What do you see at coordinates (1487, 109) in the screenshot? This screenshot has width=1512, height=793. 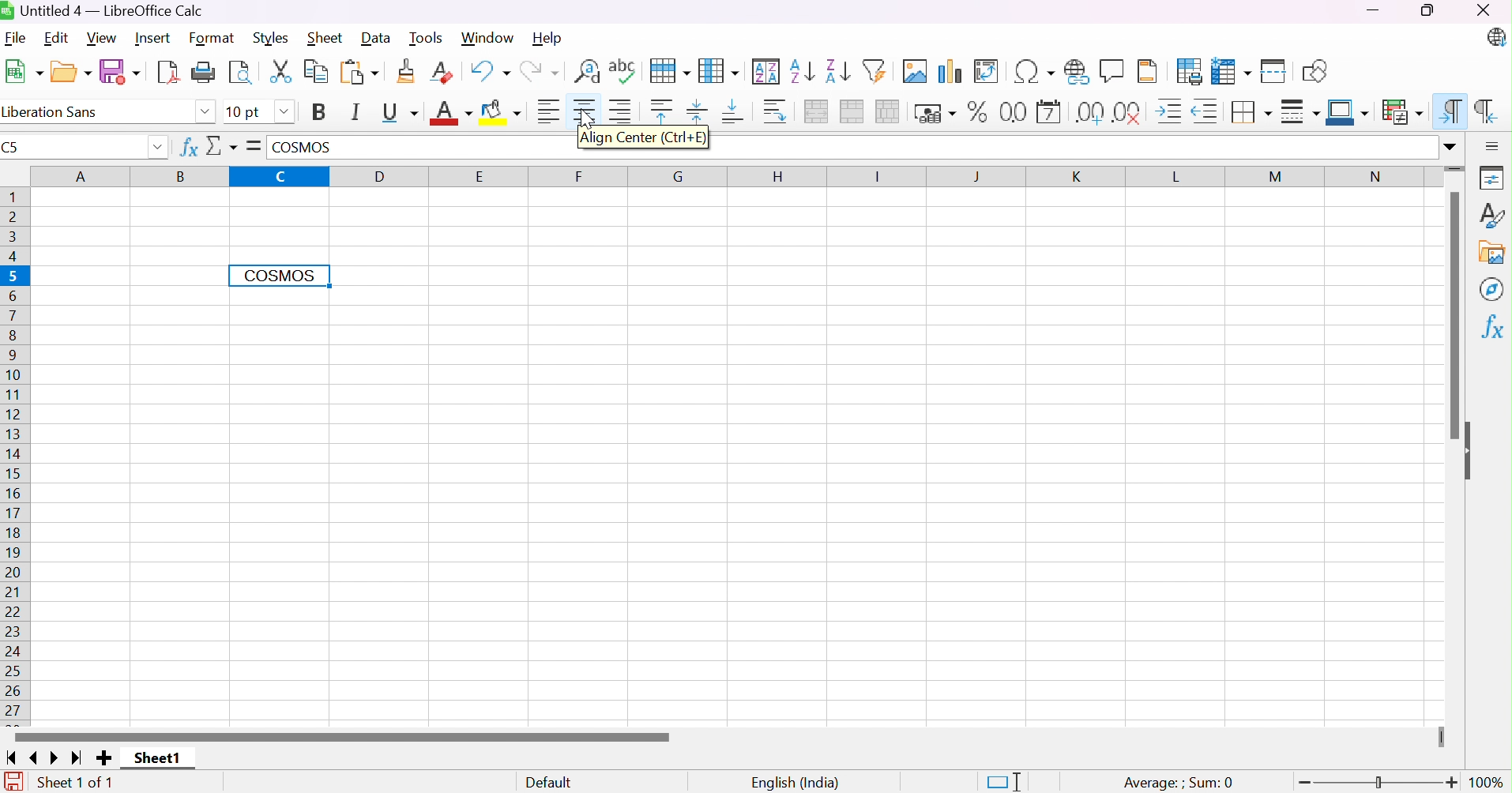 I see `Right-To-Left` at bounding box center [1487, 109].